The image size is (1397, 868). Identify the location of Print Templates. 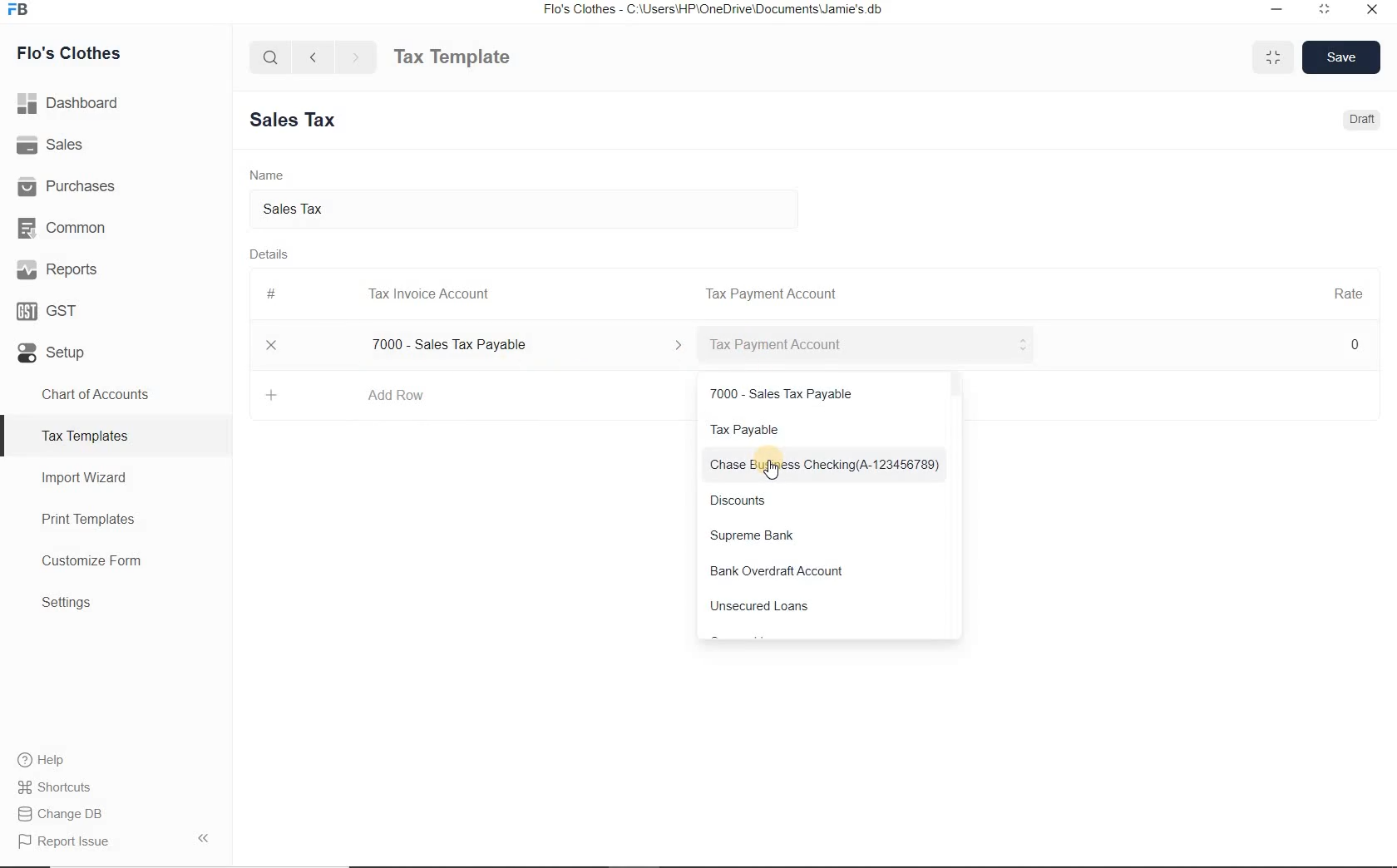
(116, 519).